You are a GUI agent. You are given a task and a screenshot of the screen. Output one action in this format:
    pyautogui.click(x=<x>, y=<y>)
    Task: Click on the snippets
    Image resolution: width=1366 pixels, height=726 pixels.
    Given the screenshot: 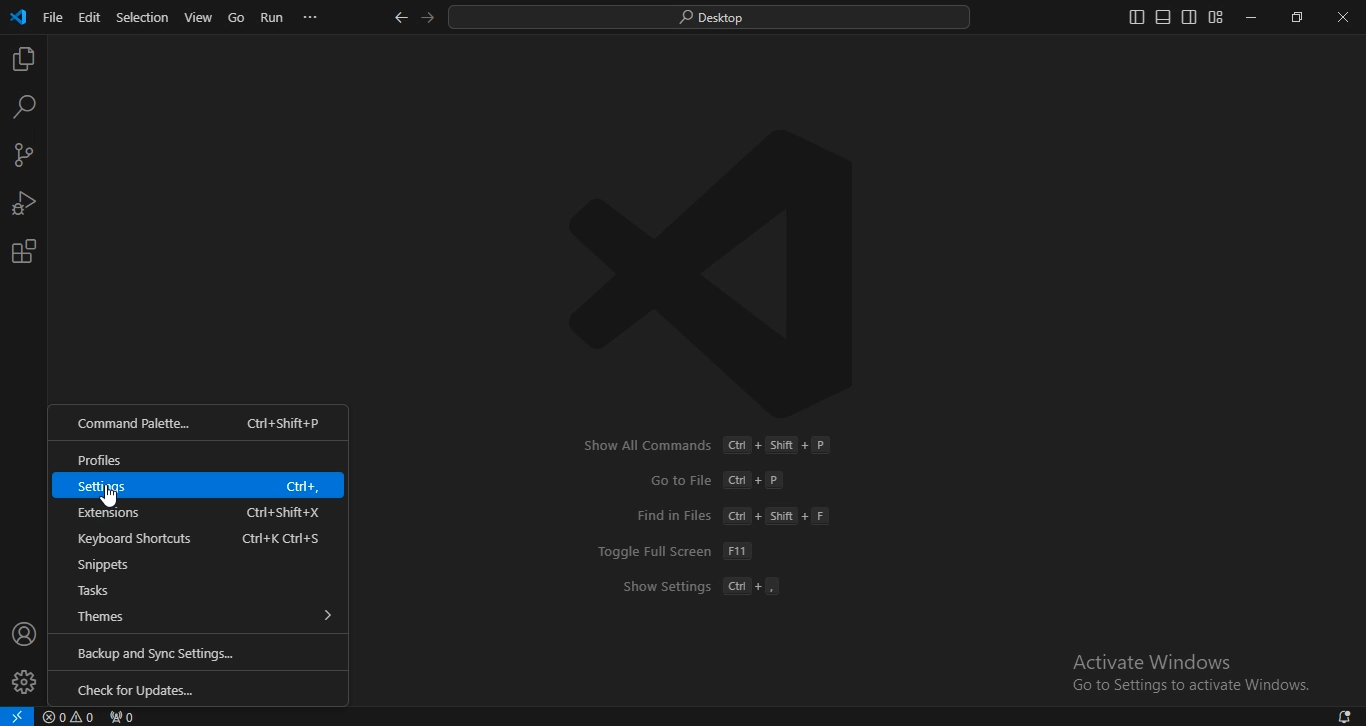 What is the action you would take?
    pyautogui.click(x=201, y=563)
    